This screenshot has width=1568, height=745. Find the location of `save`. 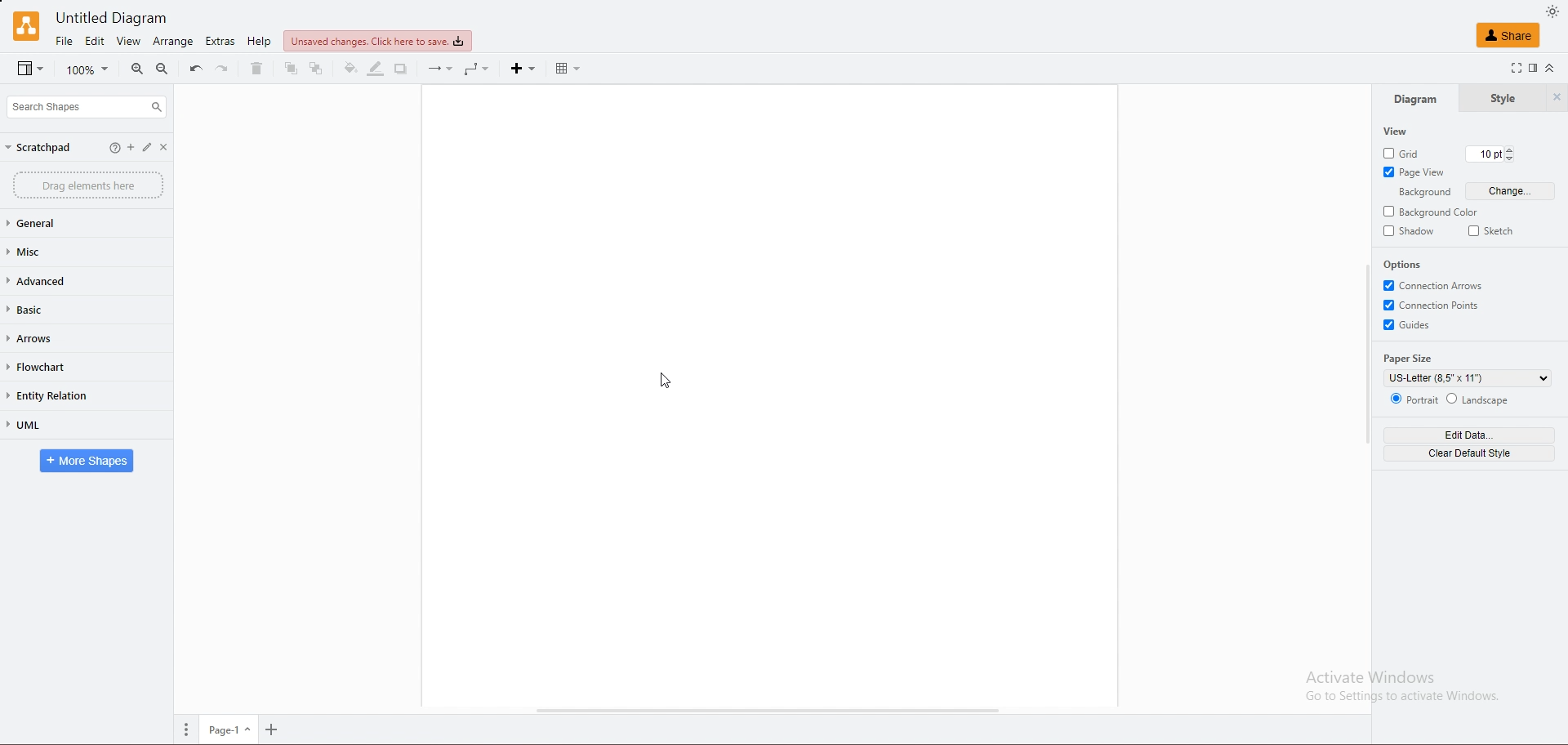

save is located at coordinates (377, 41).